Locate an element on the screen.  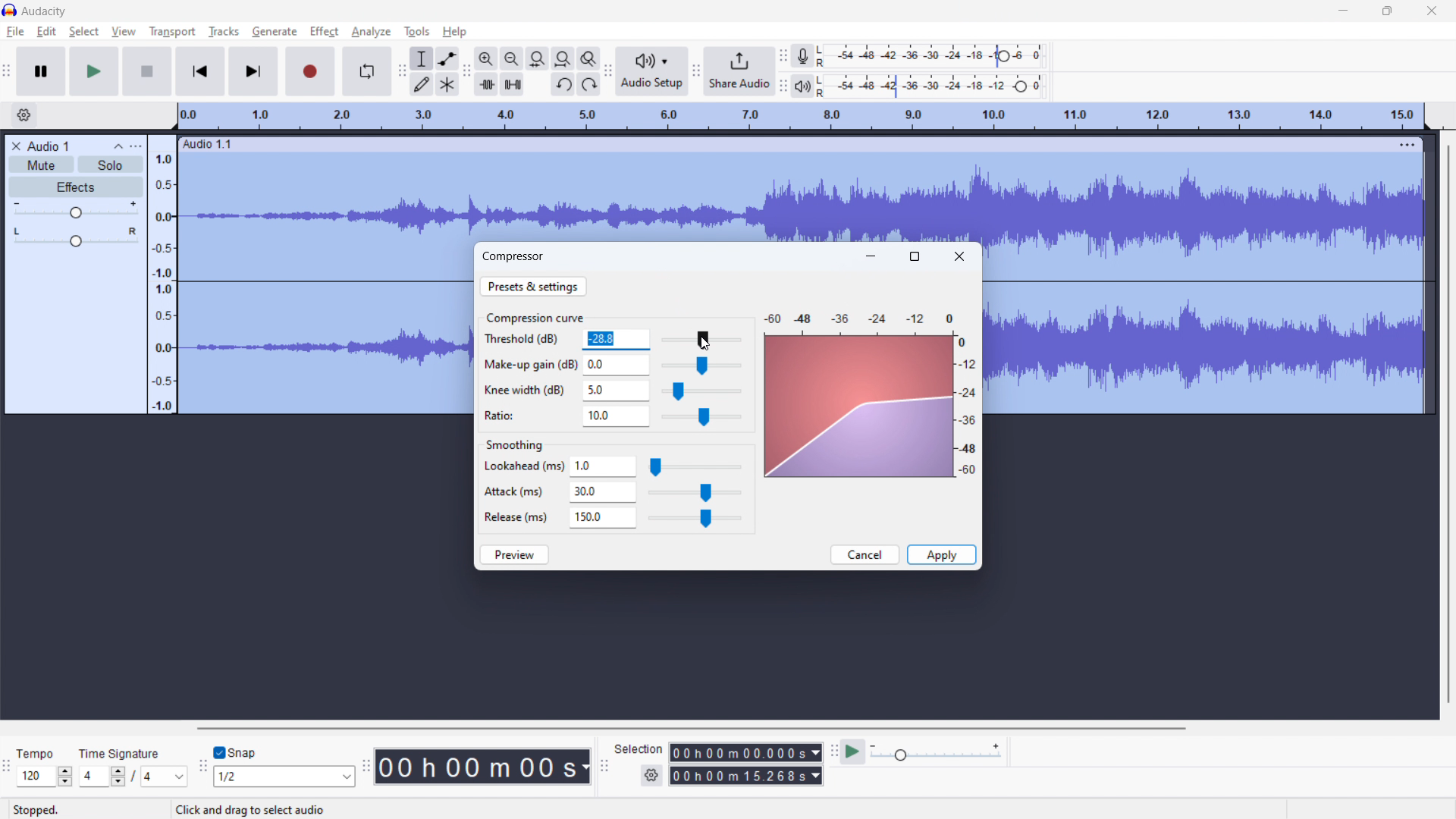
knee width slider is located at coordinates (700, 392).